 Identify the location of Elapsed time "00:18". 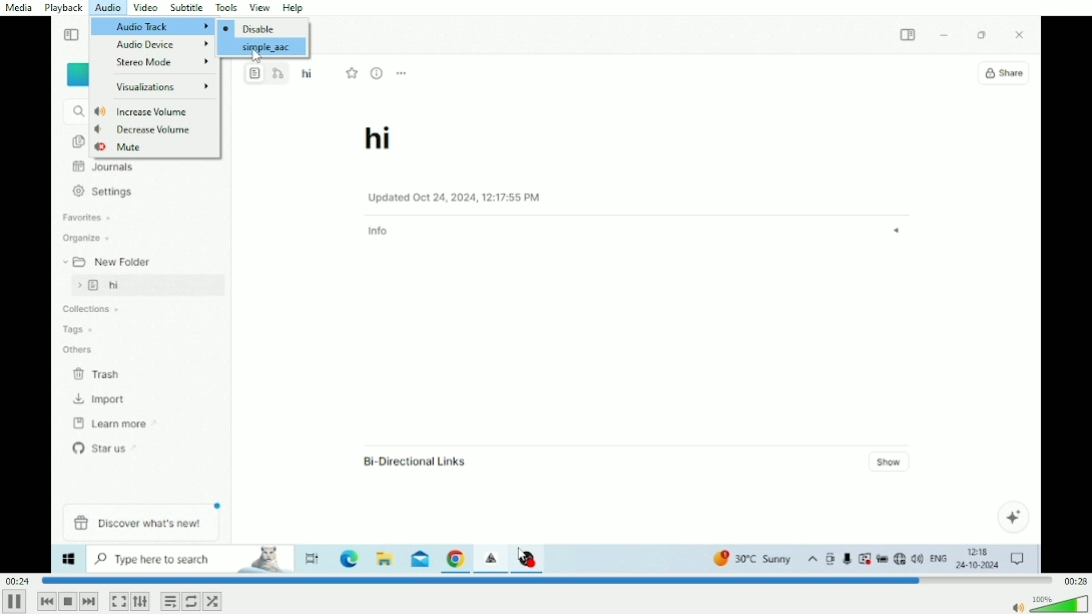
(19, 580).